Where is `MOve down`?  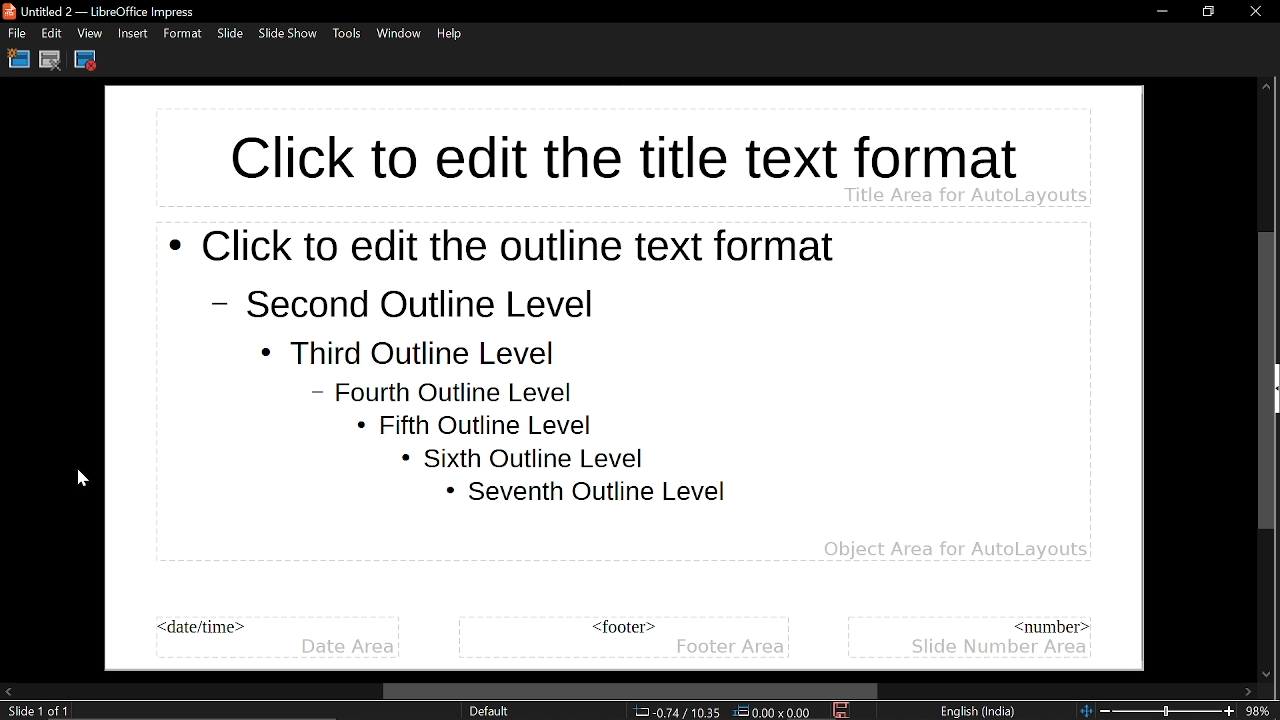
MOve down is located at coordinates (1267, 674).